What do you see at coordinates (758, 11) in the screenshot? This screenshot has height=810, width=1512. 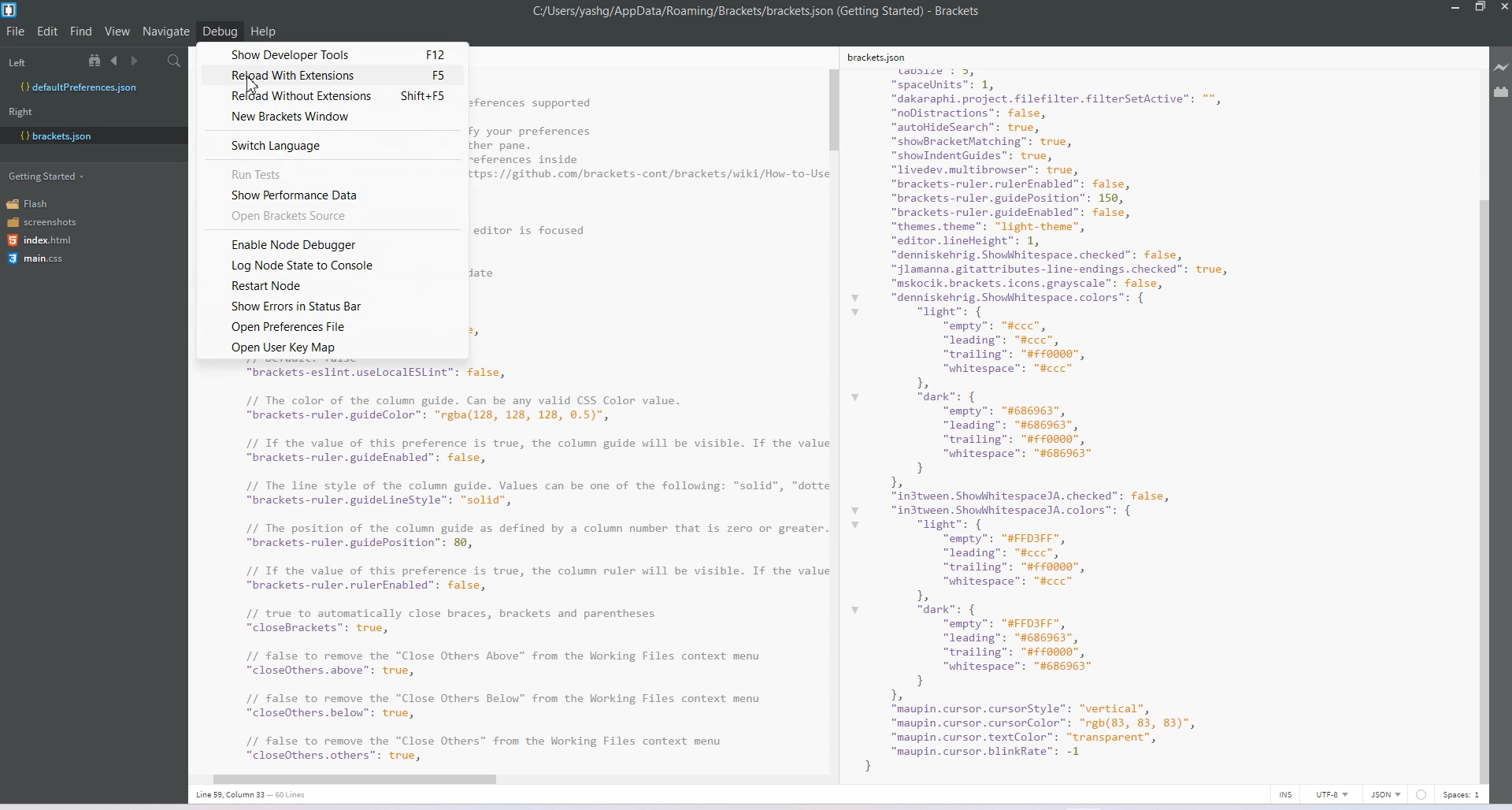 I see `C:/Users/yashg/AppData/Roaming/Brackets/brackets json (Getting Started) - Brackets` at bounding box center [758, 11].